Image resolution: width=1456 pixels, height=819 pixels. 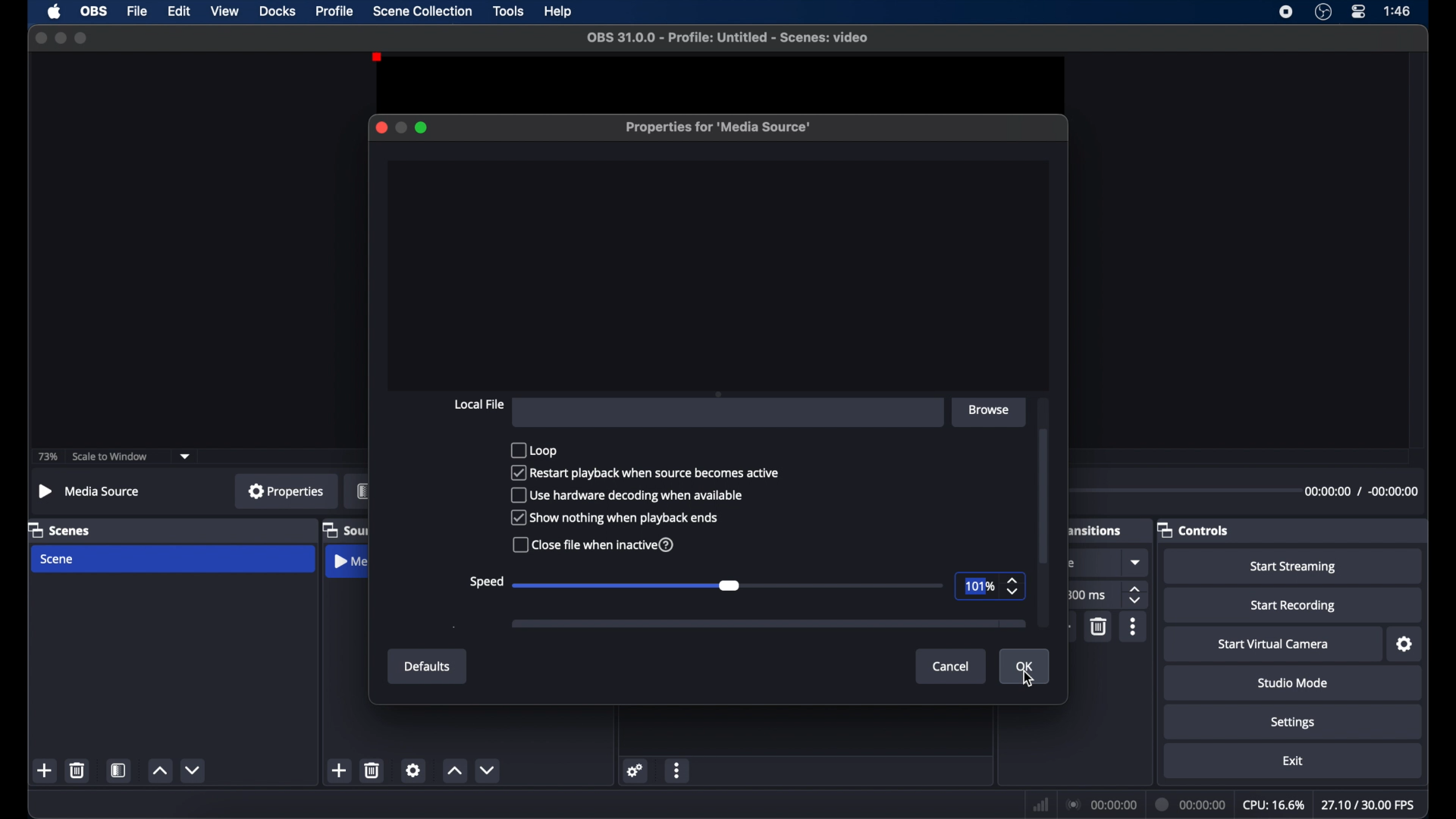 I want to click on 101%, so click(x=979, y=587).